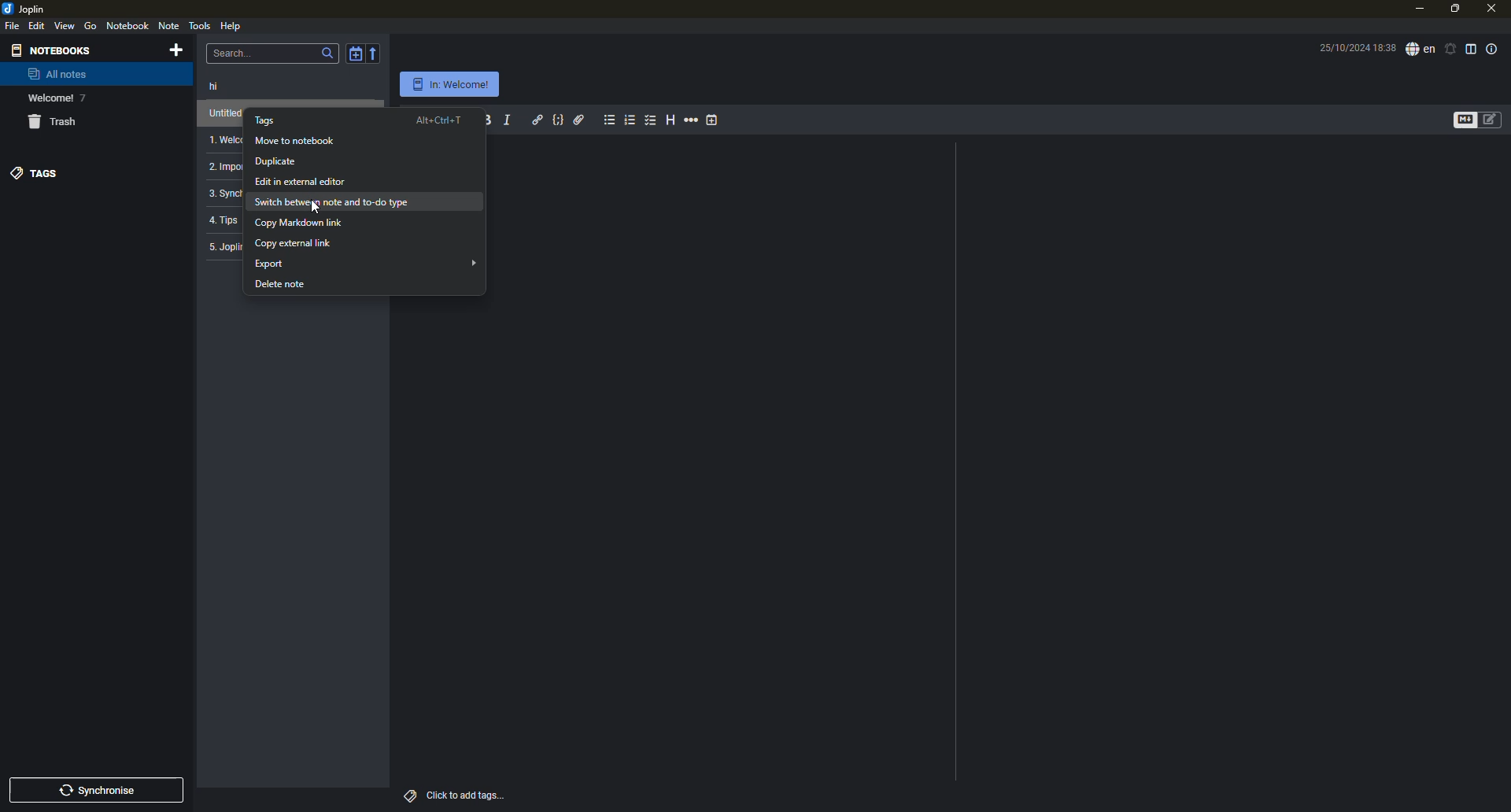 The image size is (1511, 812). What do you see at coordinates (692, 120) in the screenshot?
I see `horizontal rule` at bounding box center [692, 120].